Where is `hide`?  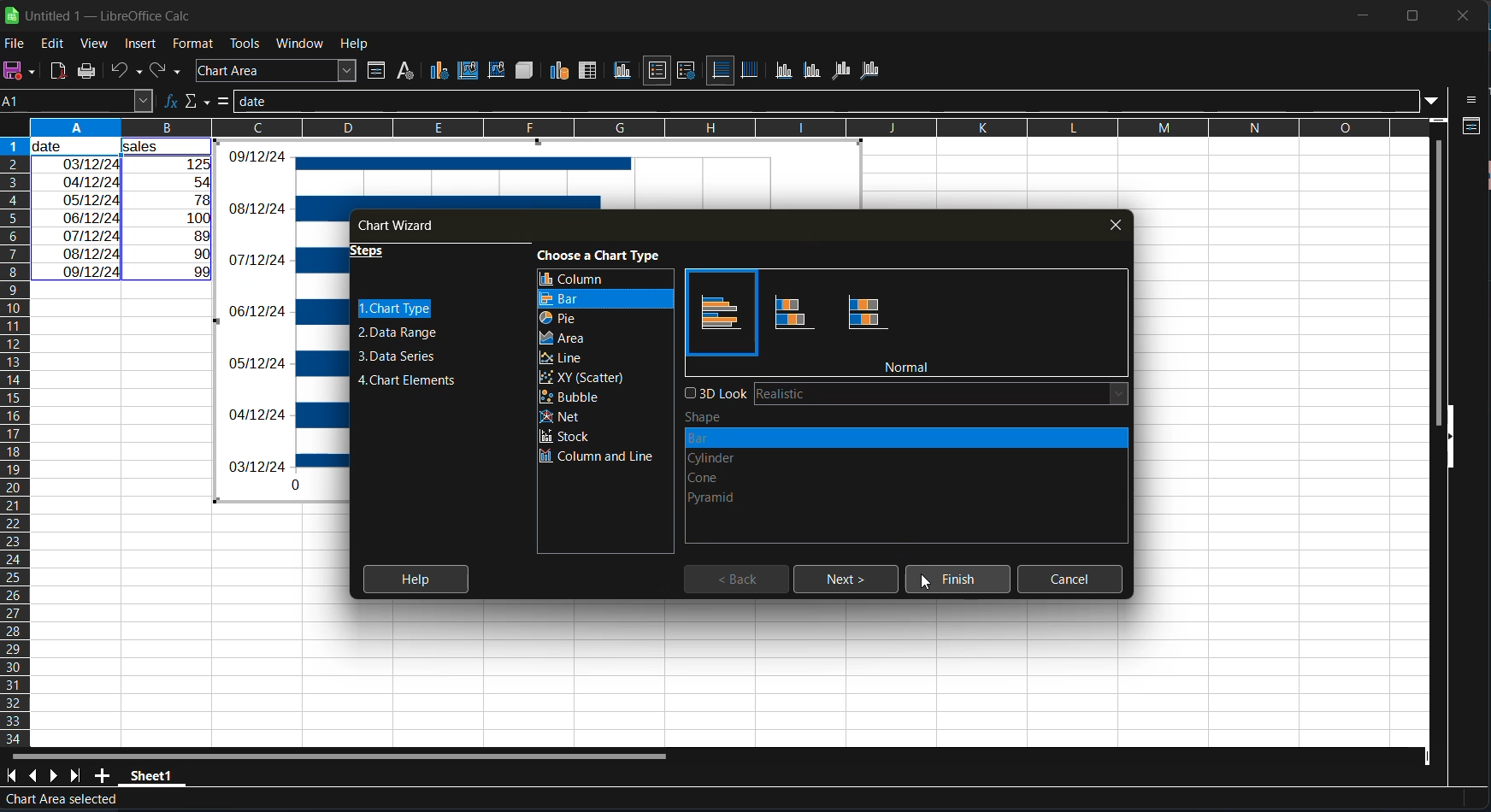 hide is located at coordinates (1447, 446).